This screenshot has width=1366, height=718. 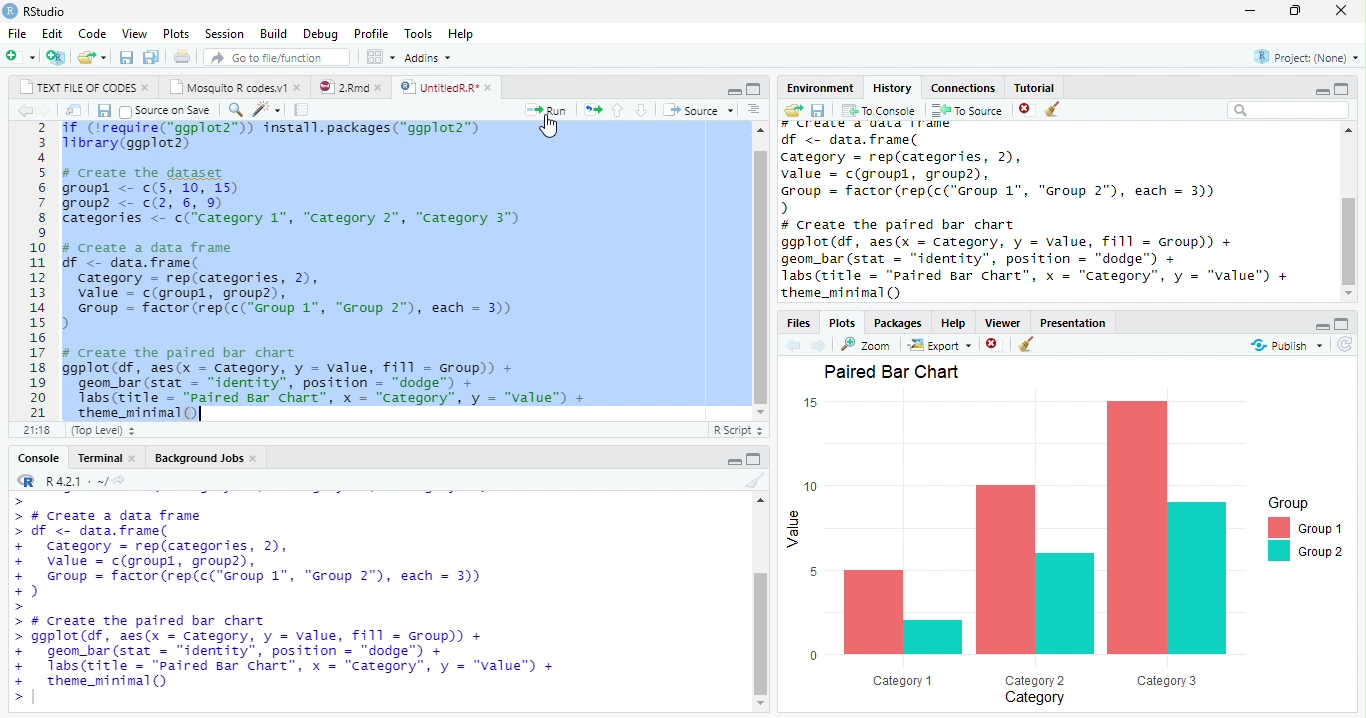 I want to click on Rscript, so click(x=738, y=431).